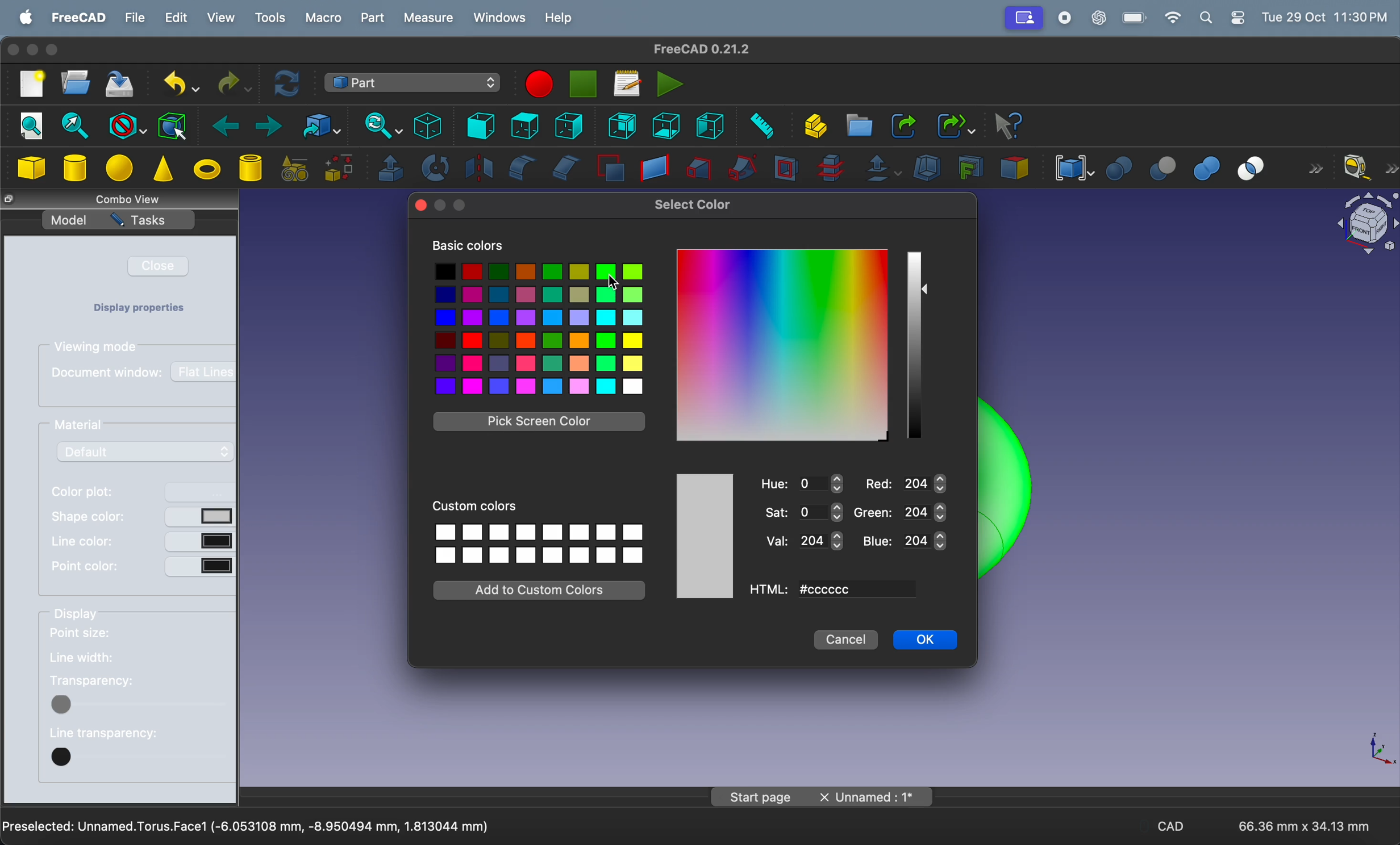 This screenshot has width=1400, height=845. What do you see at coordinates (695, 49) in the screenshot?
I see `freeCad title` at bounding box center [695, 49].